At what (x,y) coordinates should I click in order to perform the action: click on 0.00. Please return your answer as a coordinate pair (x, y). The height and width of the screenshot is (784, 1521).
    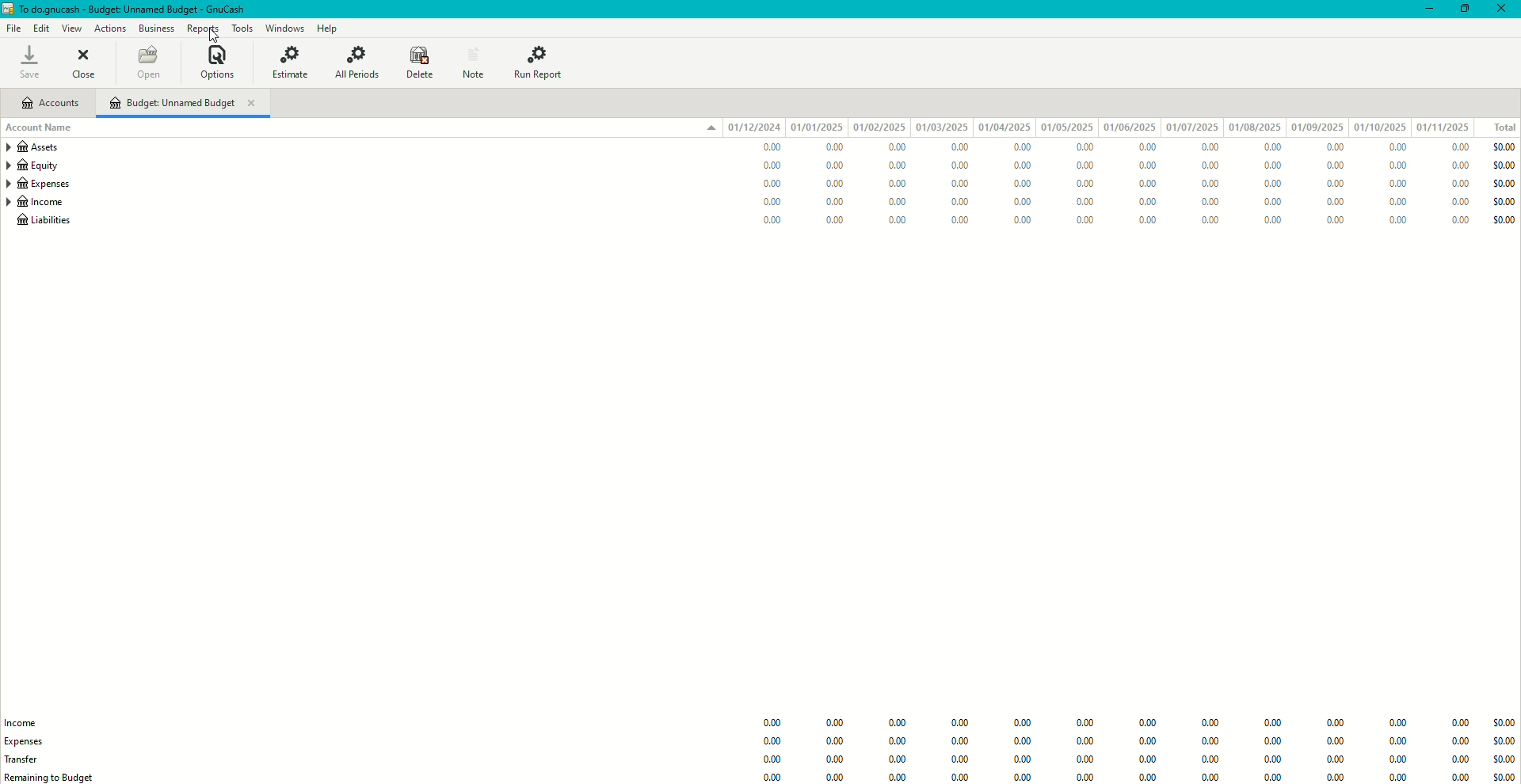
    Looking at the image, I should click on (1205, 166).